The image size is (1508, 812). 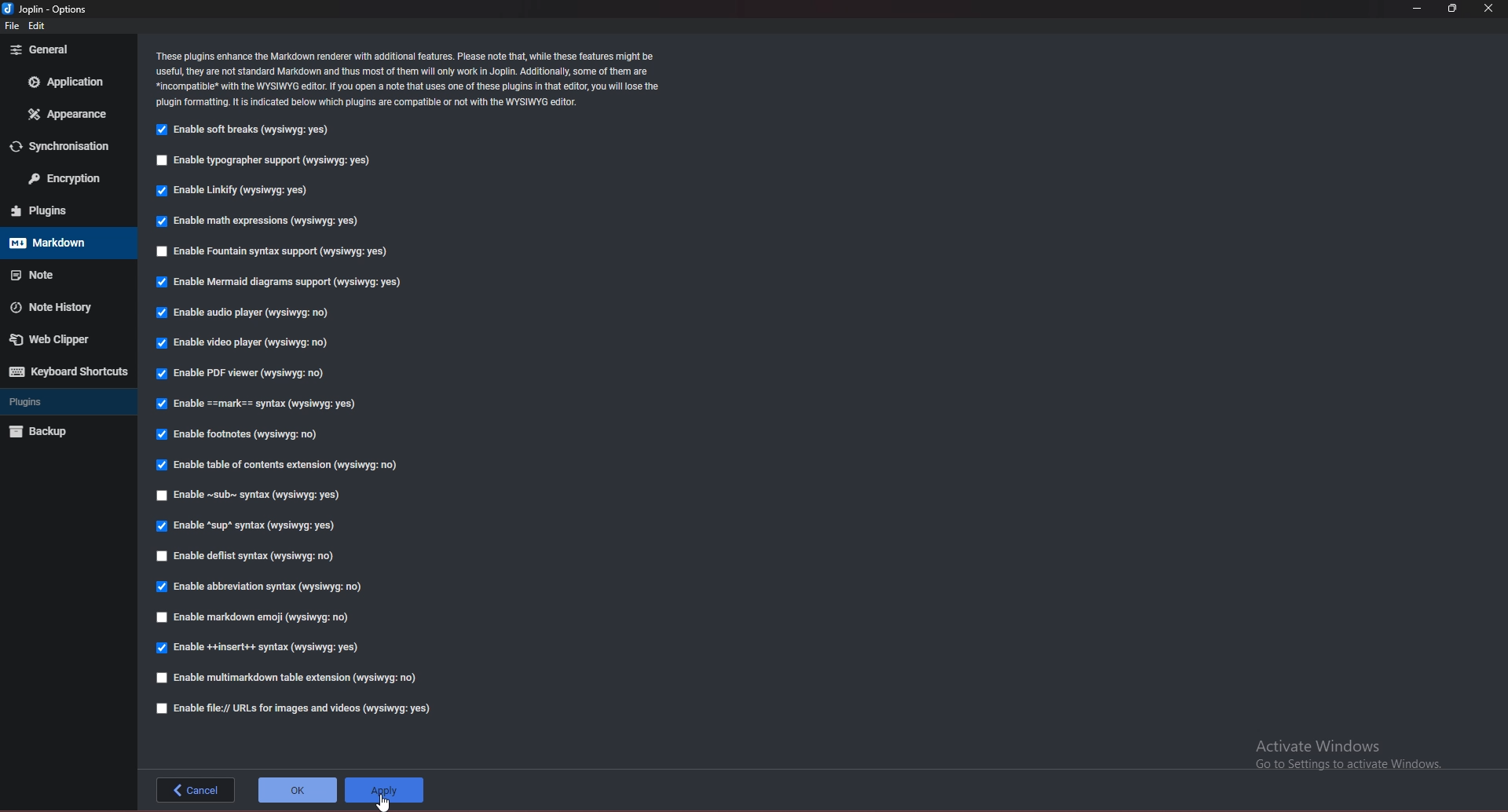 I want to click on keyboard shortcuts, so click(x=66, y=371).